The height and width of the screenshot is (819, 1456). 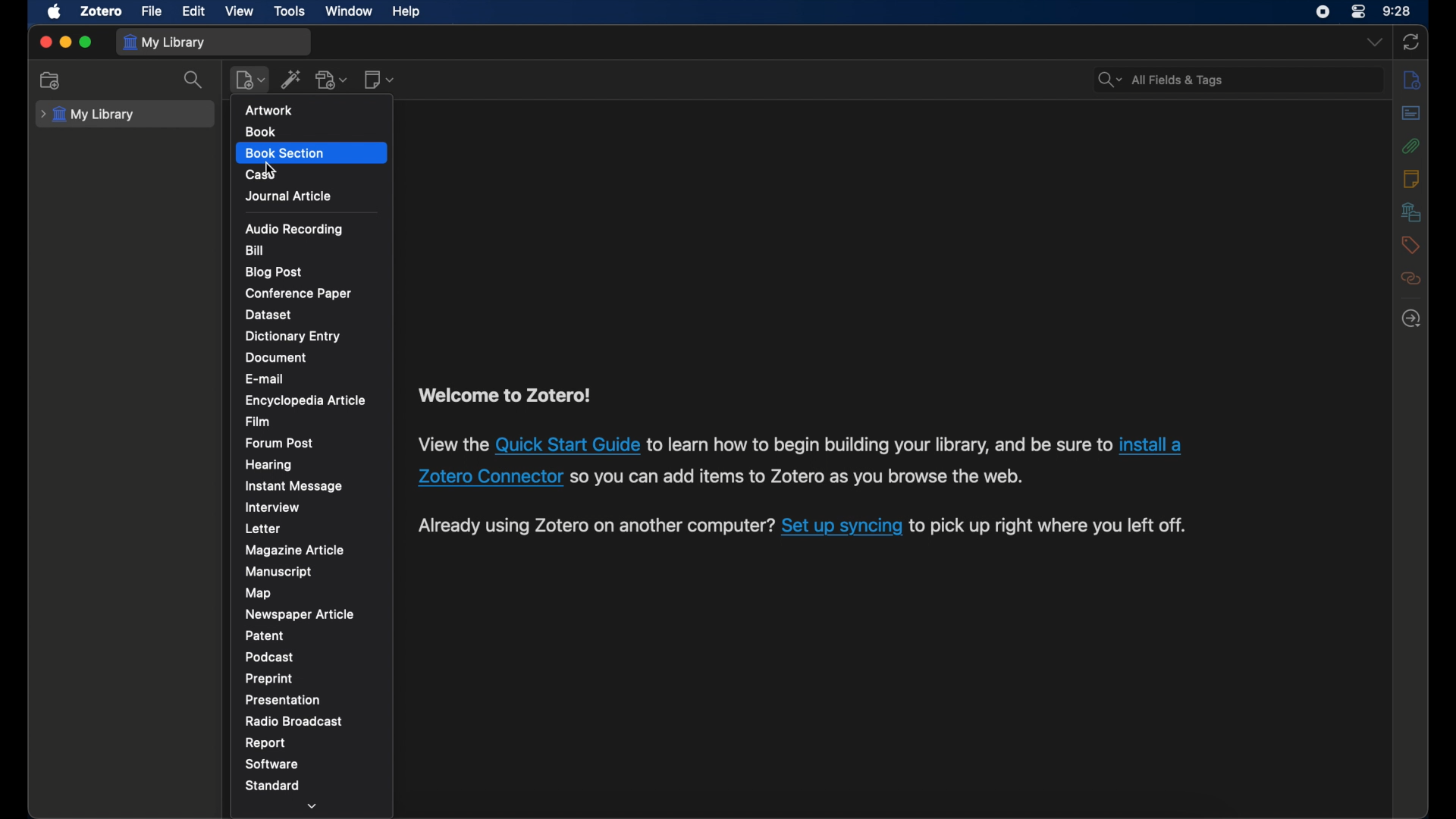 I want to click on libraries, so click(x=1410, y=212).